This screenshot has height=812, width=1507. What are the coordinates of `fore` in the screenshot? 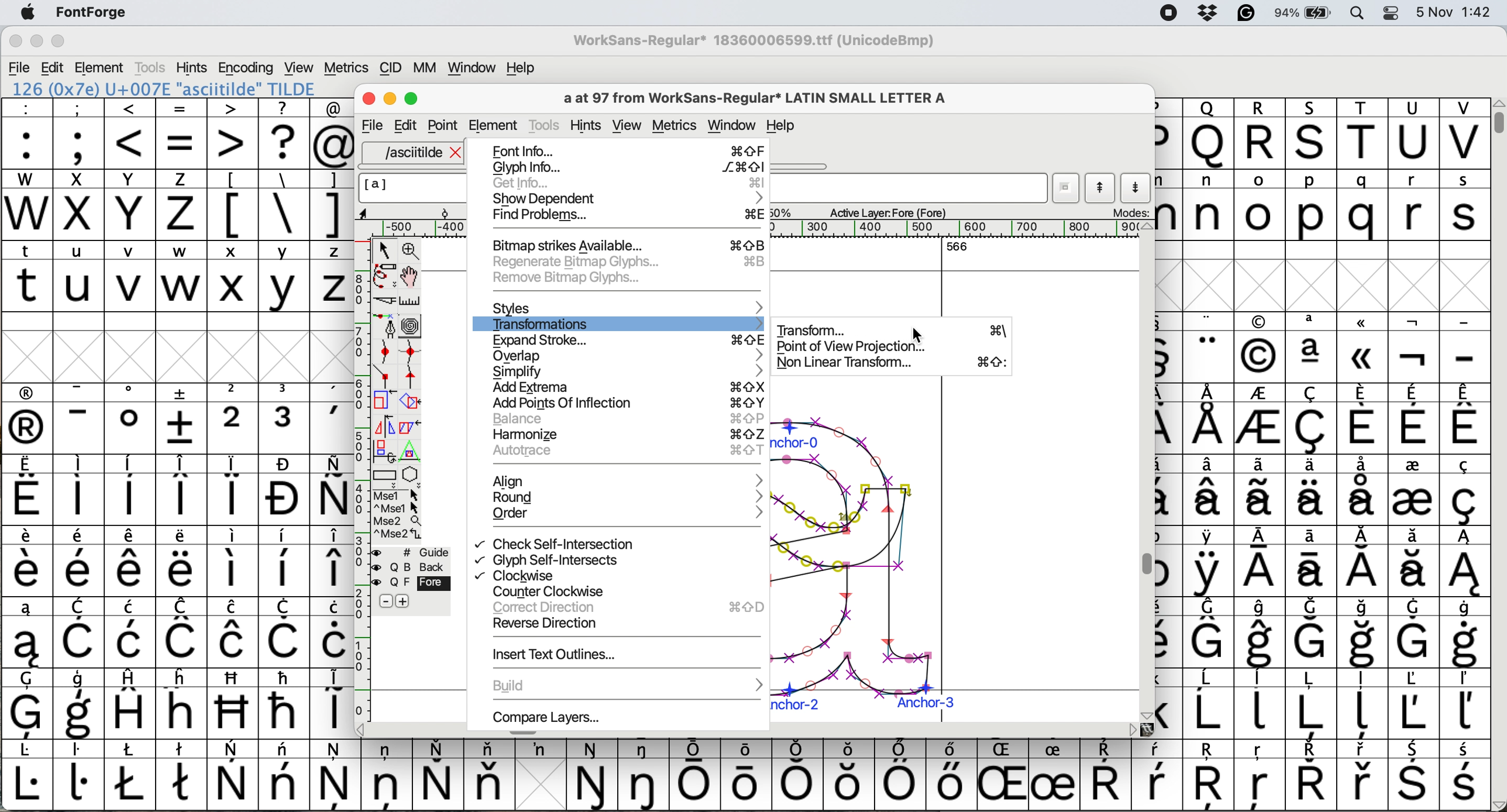 It's located at (412, 583).